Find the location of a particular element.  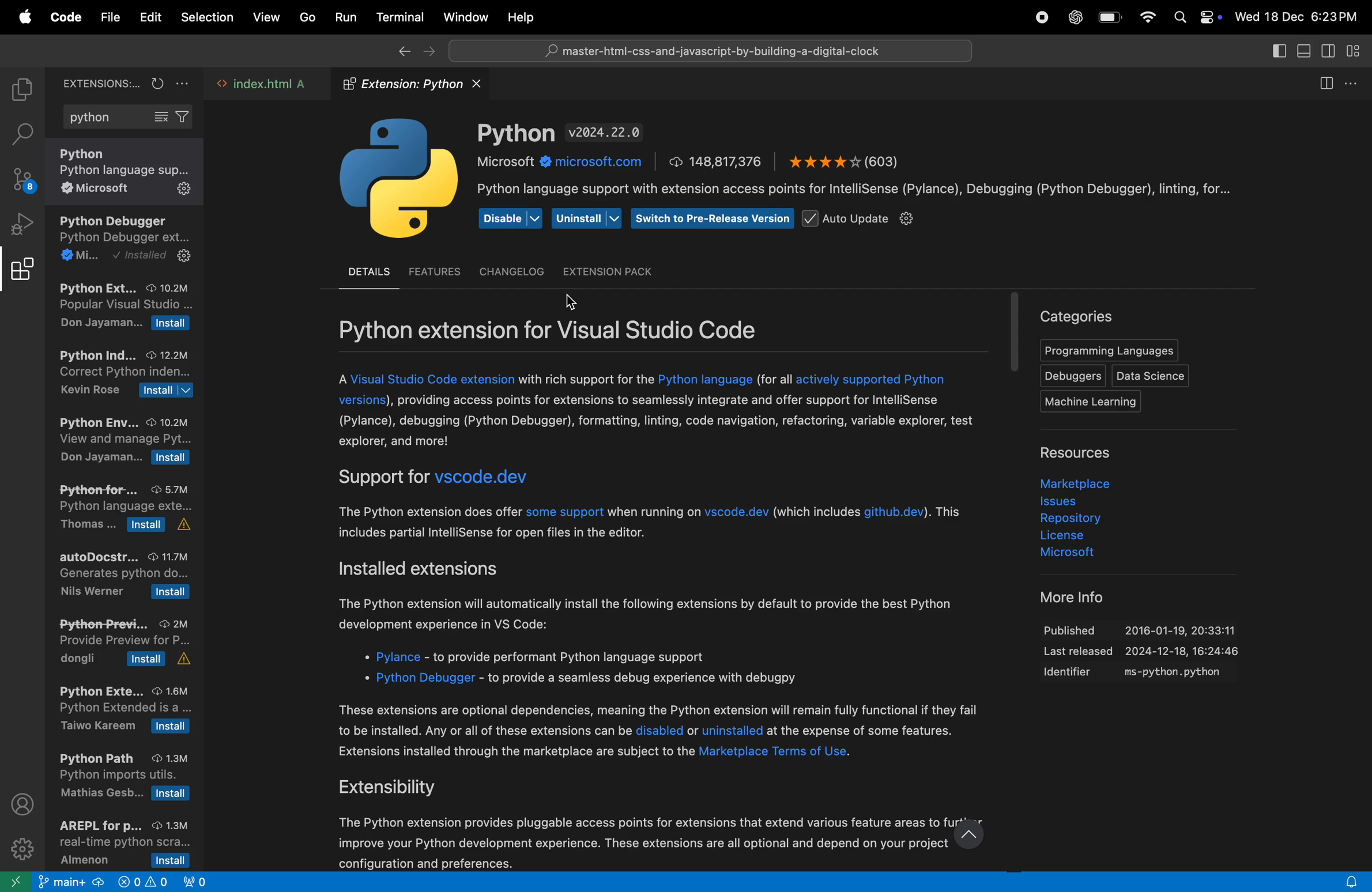

customize layout is located at coordinates (1358, 52).